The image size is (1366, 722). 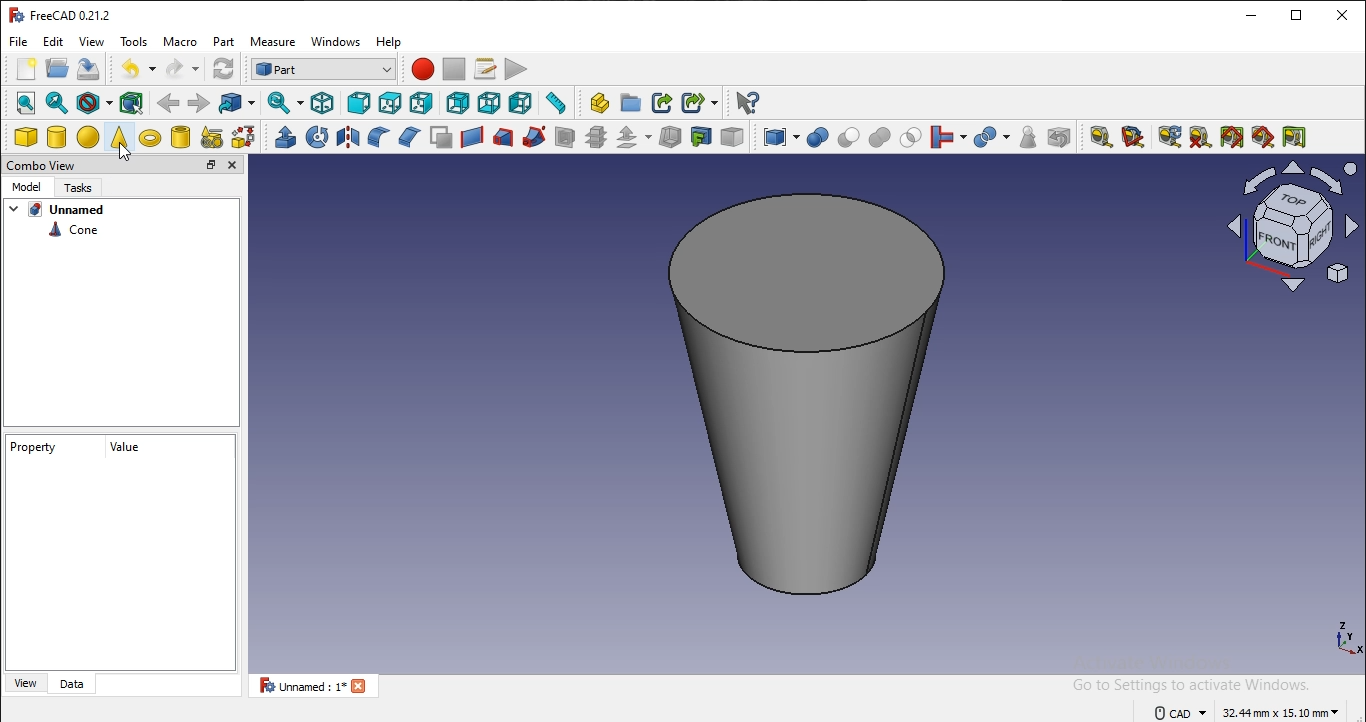 I want to click on model, so click(x=26, y=186).